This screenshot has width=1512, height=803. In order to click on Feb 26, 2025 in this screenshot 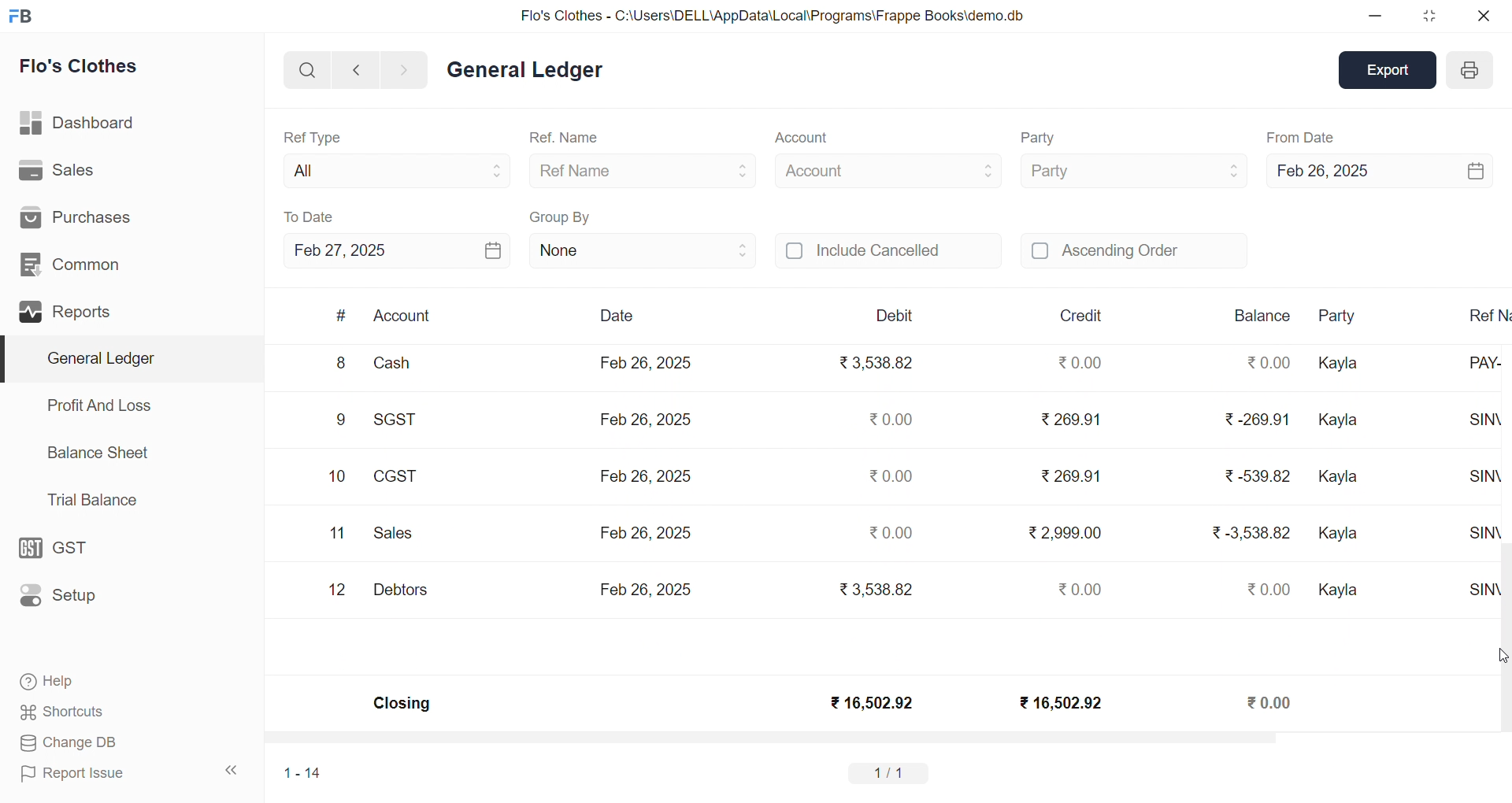, I will do `click(1378, 168)`.